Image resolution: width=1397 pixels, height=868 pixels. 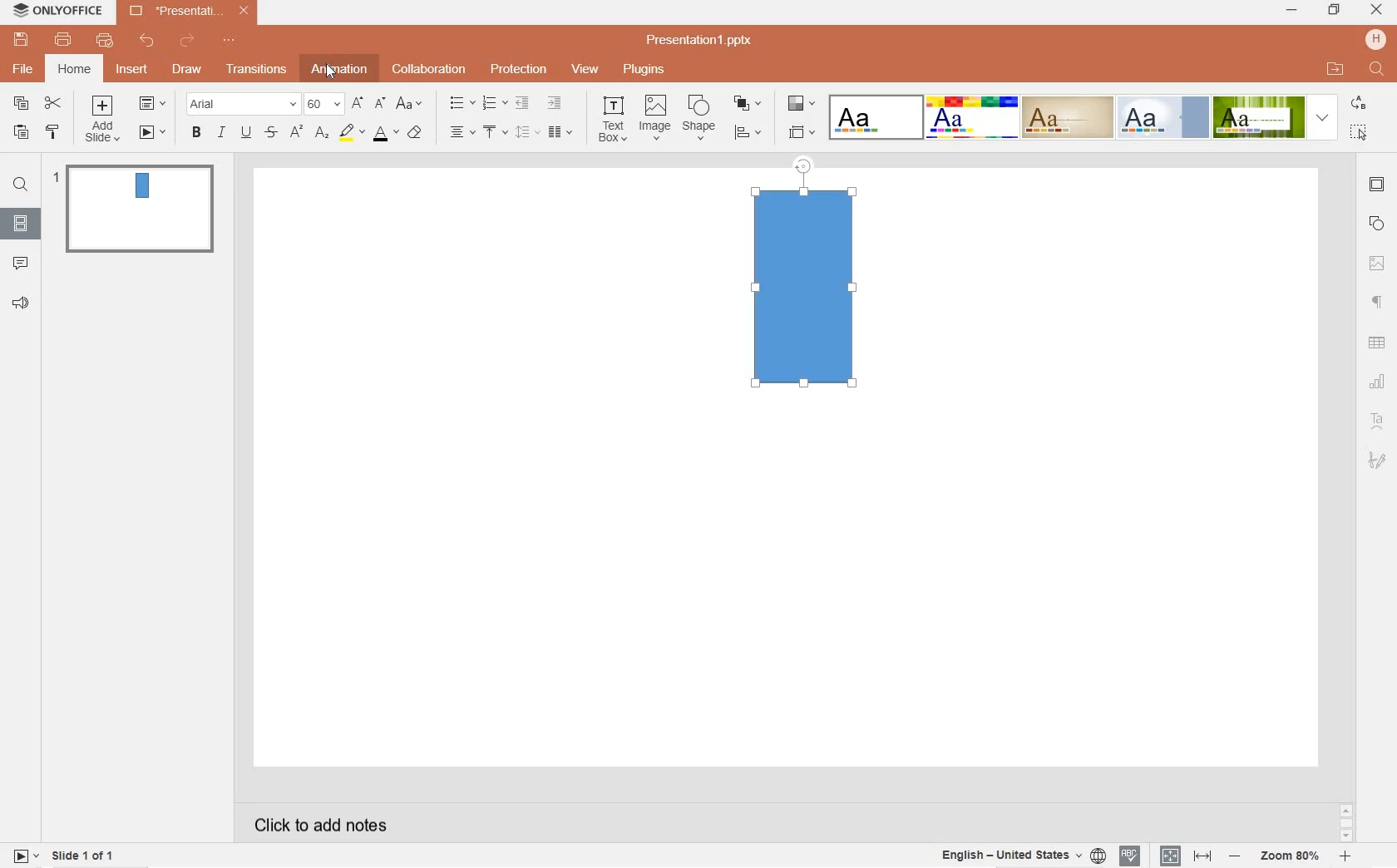 What do you see at coordinates (85, 858) in the screenshot?
I see `slide 1 of 1` at bounding box center [85, 858].